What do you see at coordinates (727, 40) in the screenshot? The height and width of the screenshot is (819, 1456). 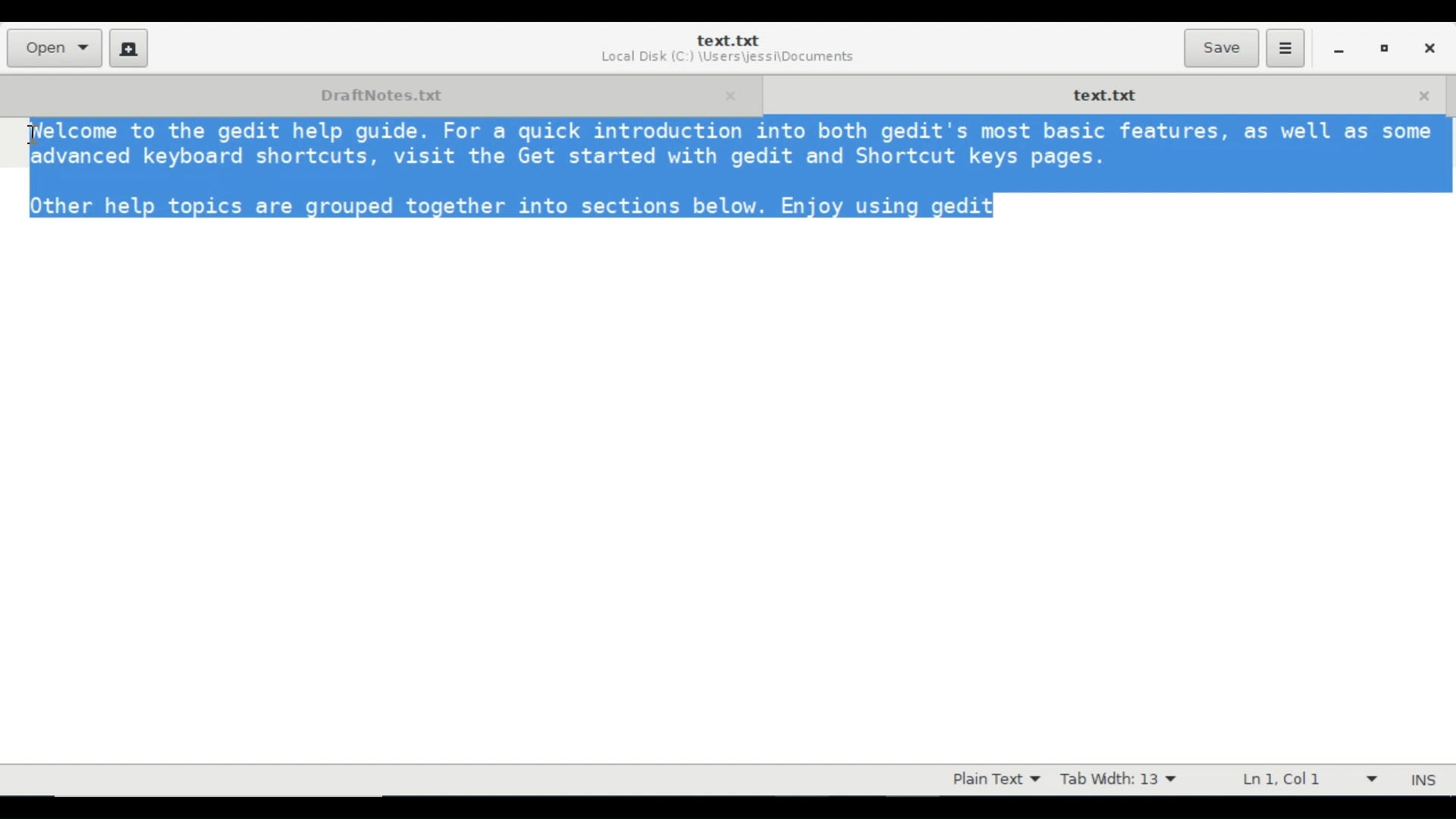 I see `Document Name` at bounding box center [727, 40].